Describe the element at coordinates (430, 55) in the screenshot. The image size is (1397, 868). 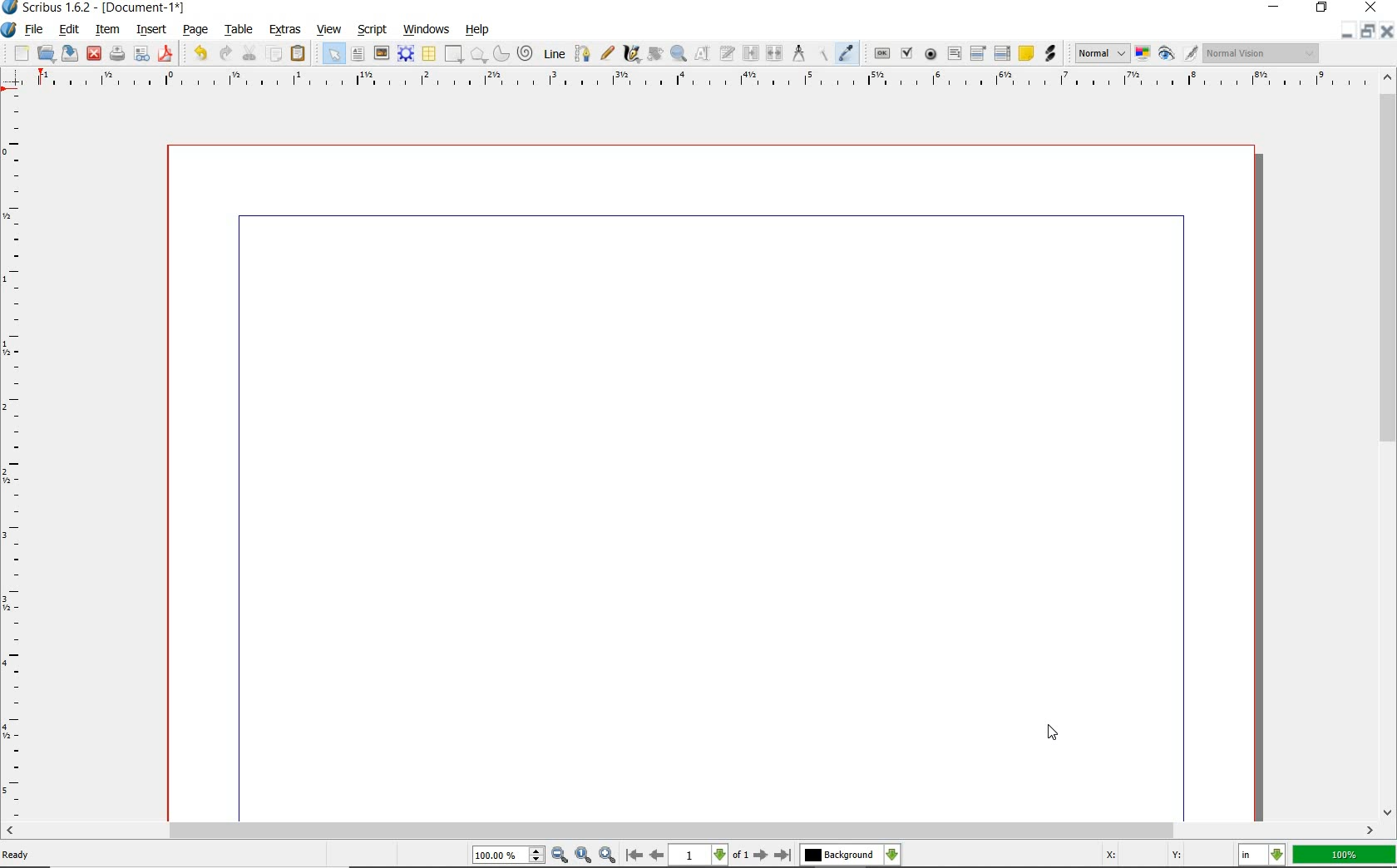
I see `table` at that location.